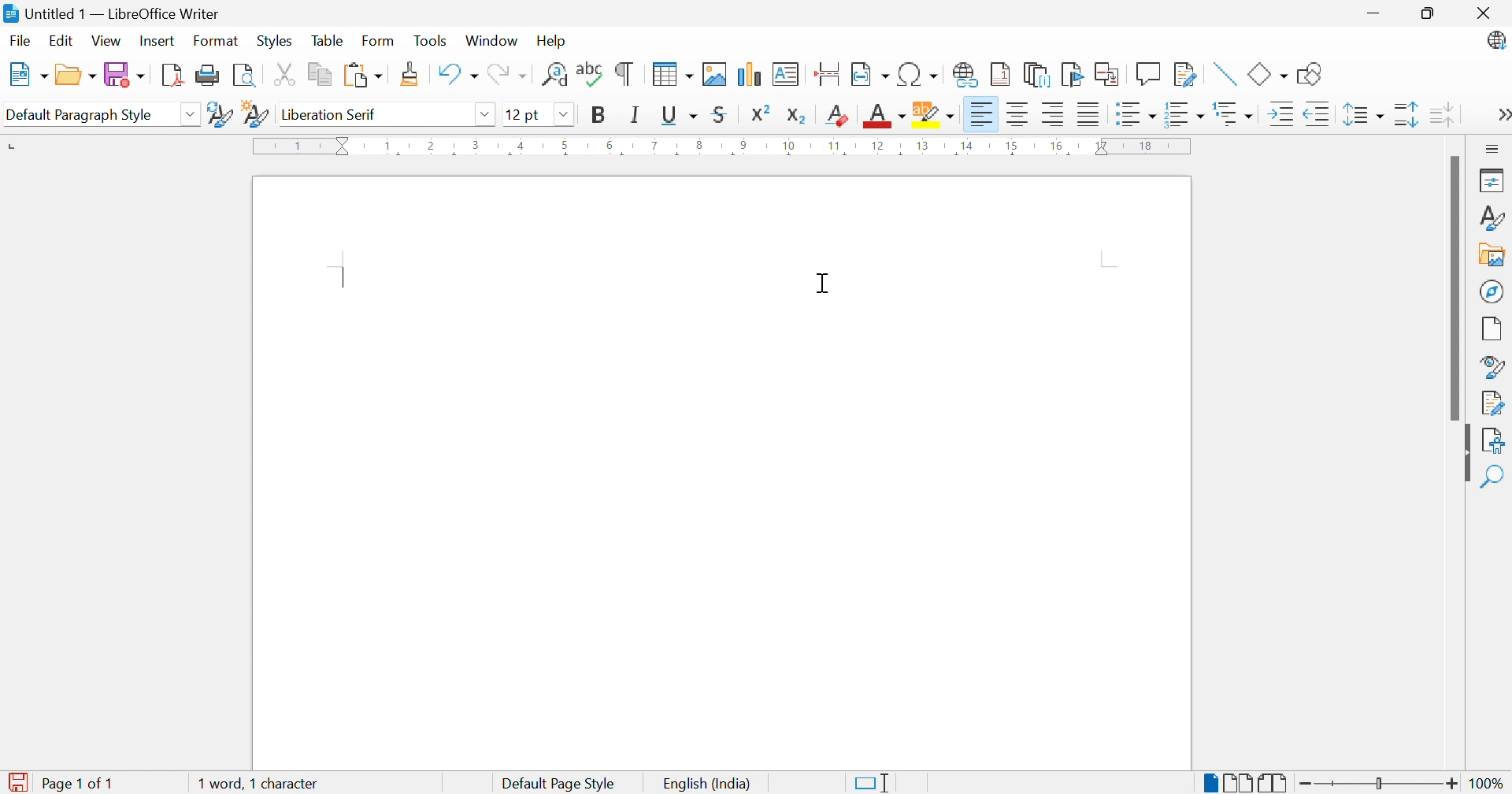 The height and width of the screenshot is (794, 1512). I want to click on Page, so click(1492, 328).